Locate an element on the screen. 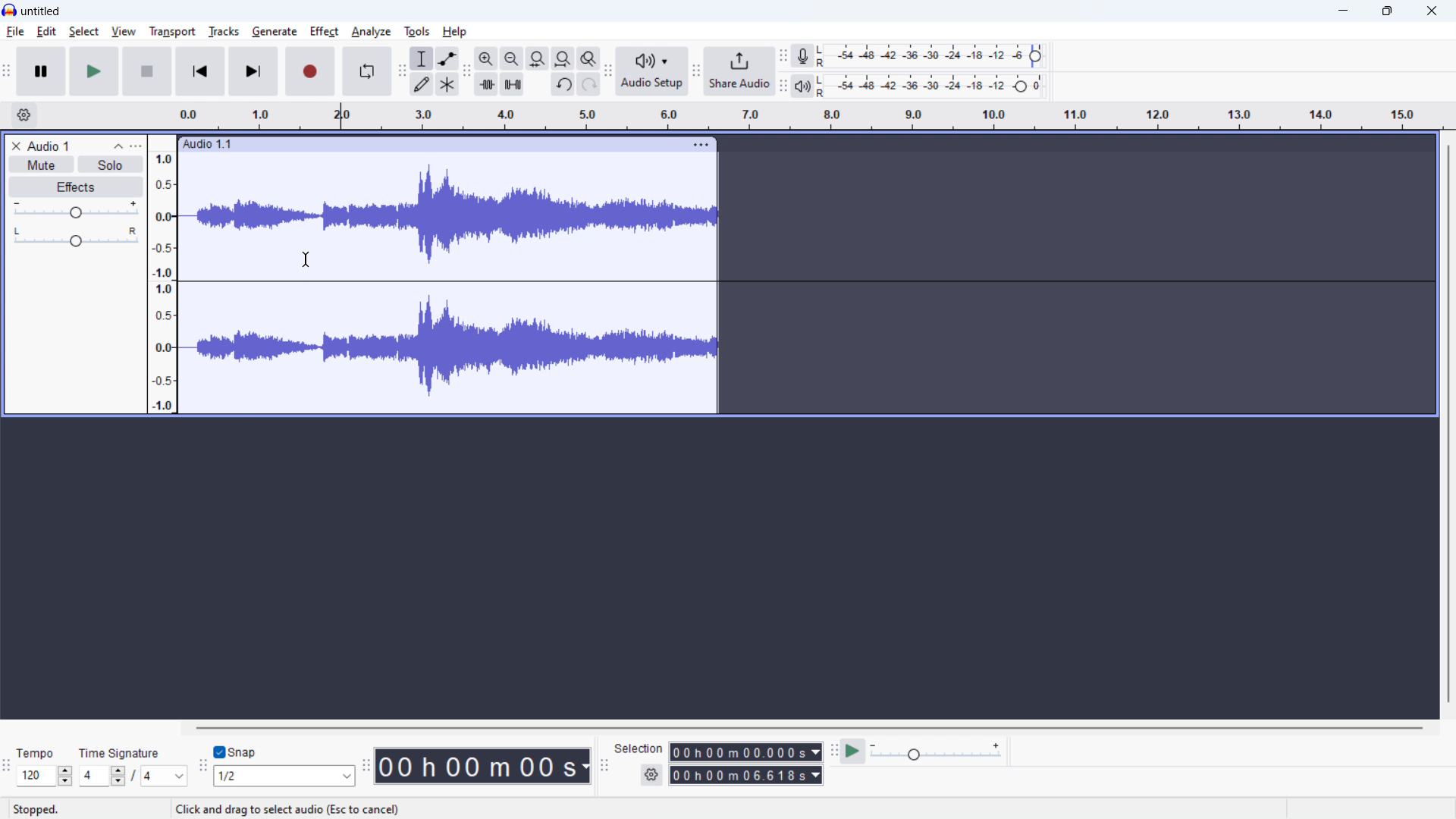 This screenshot has height=819, width=1456. pause is located at coordinates (41, 72).